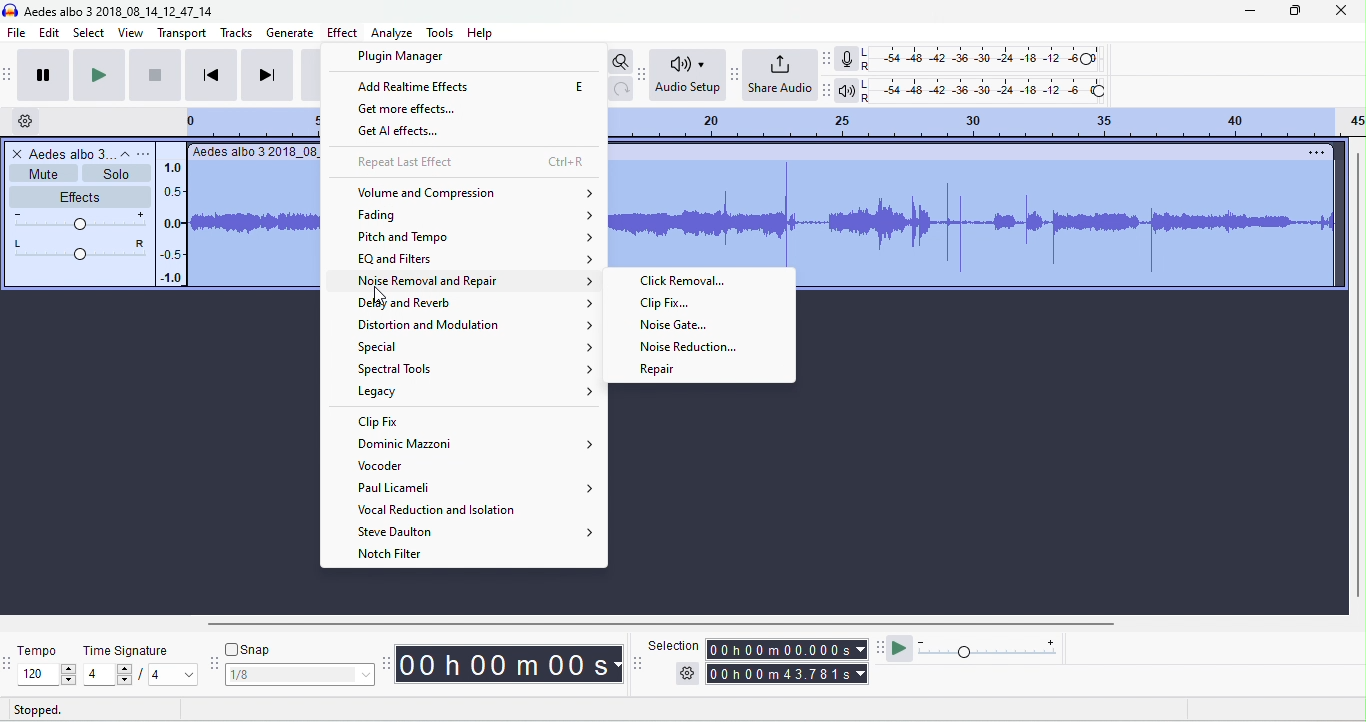 The width and height of the screenshot is (1366, 722). I want to click on repeat last action, so click(471, 163).